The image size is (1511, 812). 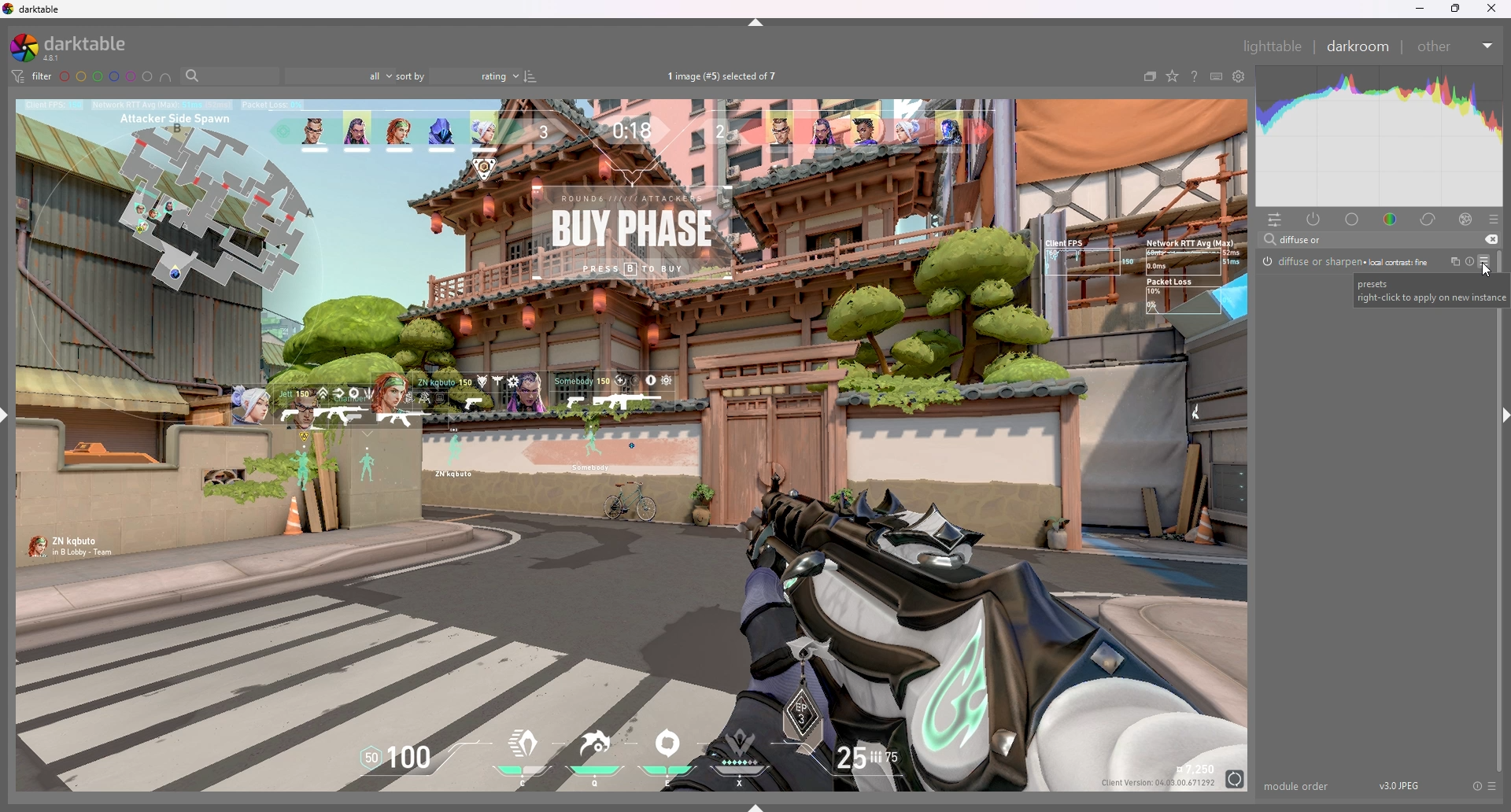 What do you see at coordinates (1217, 76) in the screenshot?
I see `keyboard shortcuts` at bounding box center [1217, 76].